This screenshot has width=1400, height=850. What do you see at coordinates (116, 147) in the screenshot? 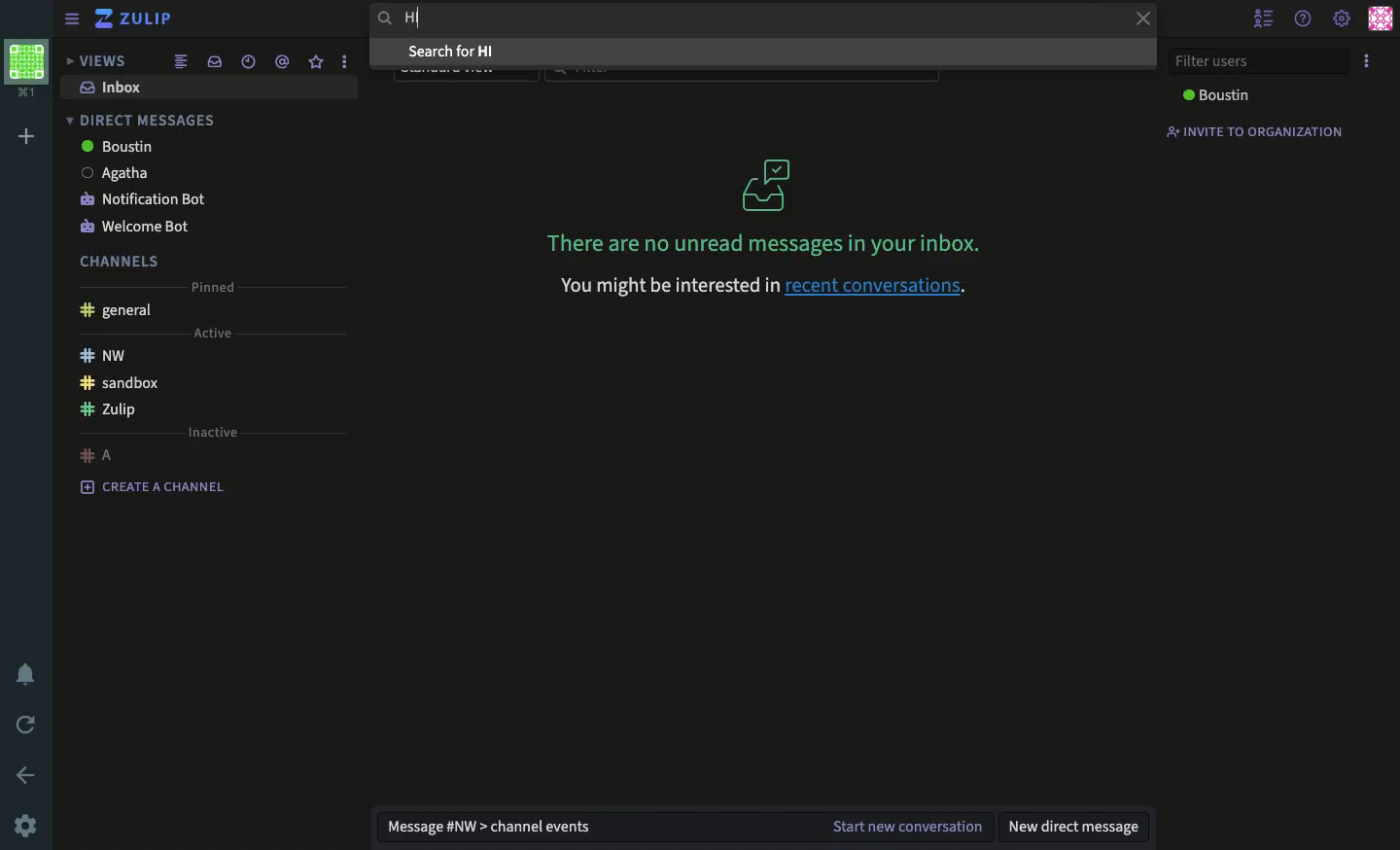
I see `boustin` at bounding box center [116, 147].